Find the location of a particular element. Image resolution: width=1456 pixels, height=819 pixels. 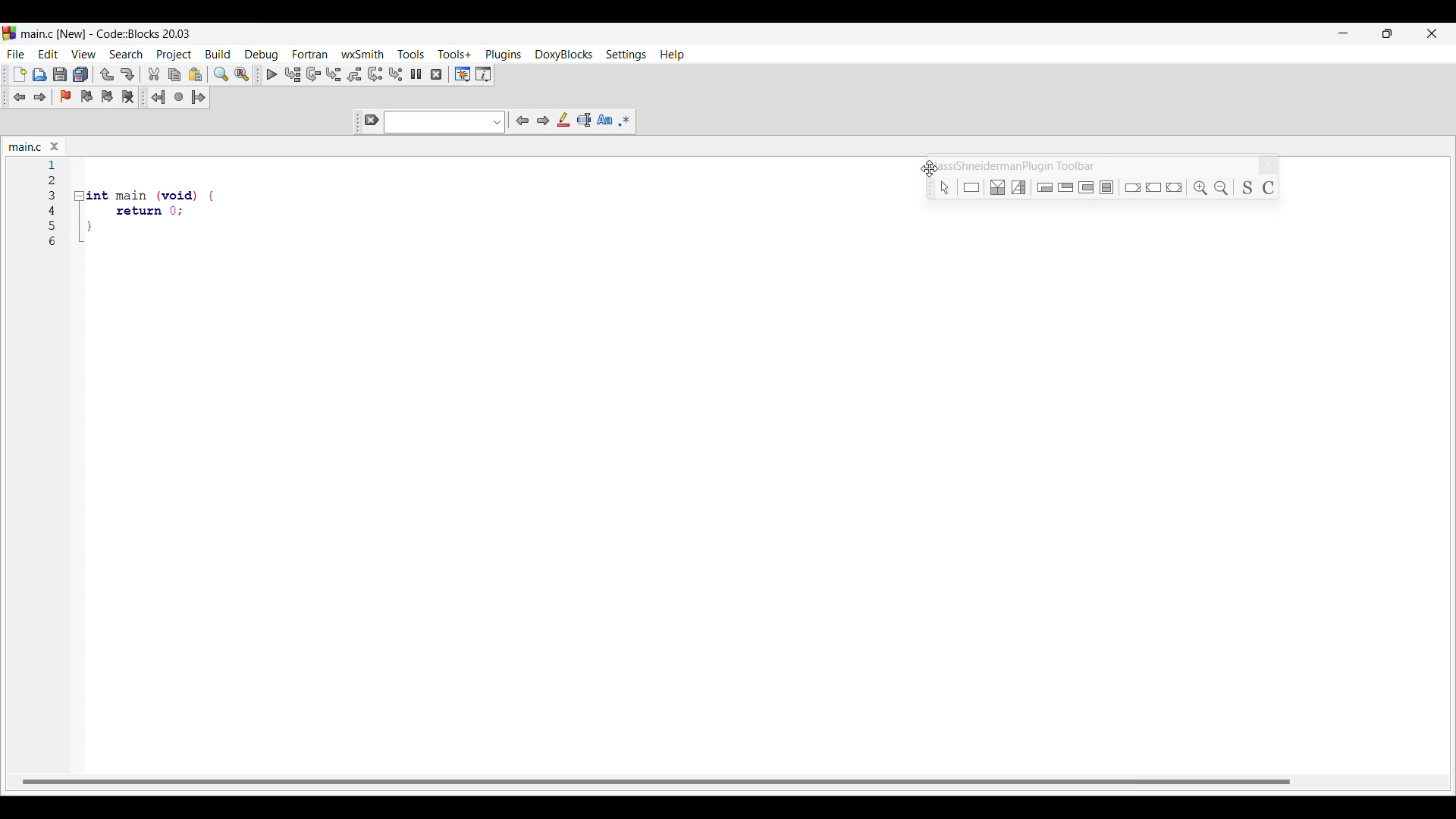

Copy is located at coordinates (174, 75).